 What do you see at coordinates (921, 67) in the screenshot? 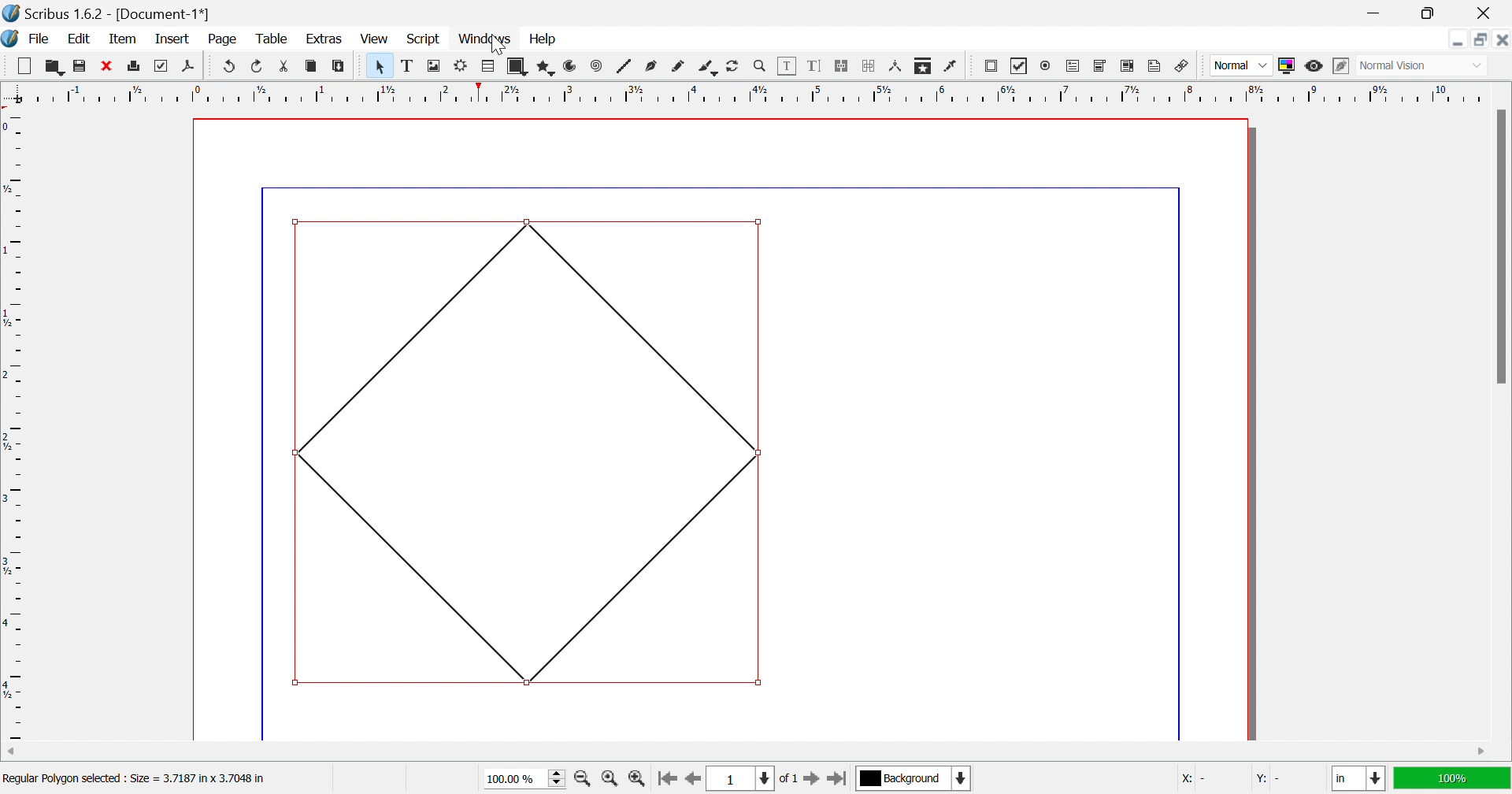
I see `Copy item properties` at bounding box center [921, 67].